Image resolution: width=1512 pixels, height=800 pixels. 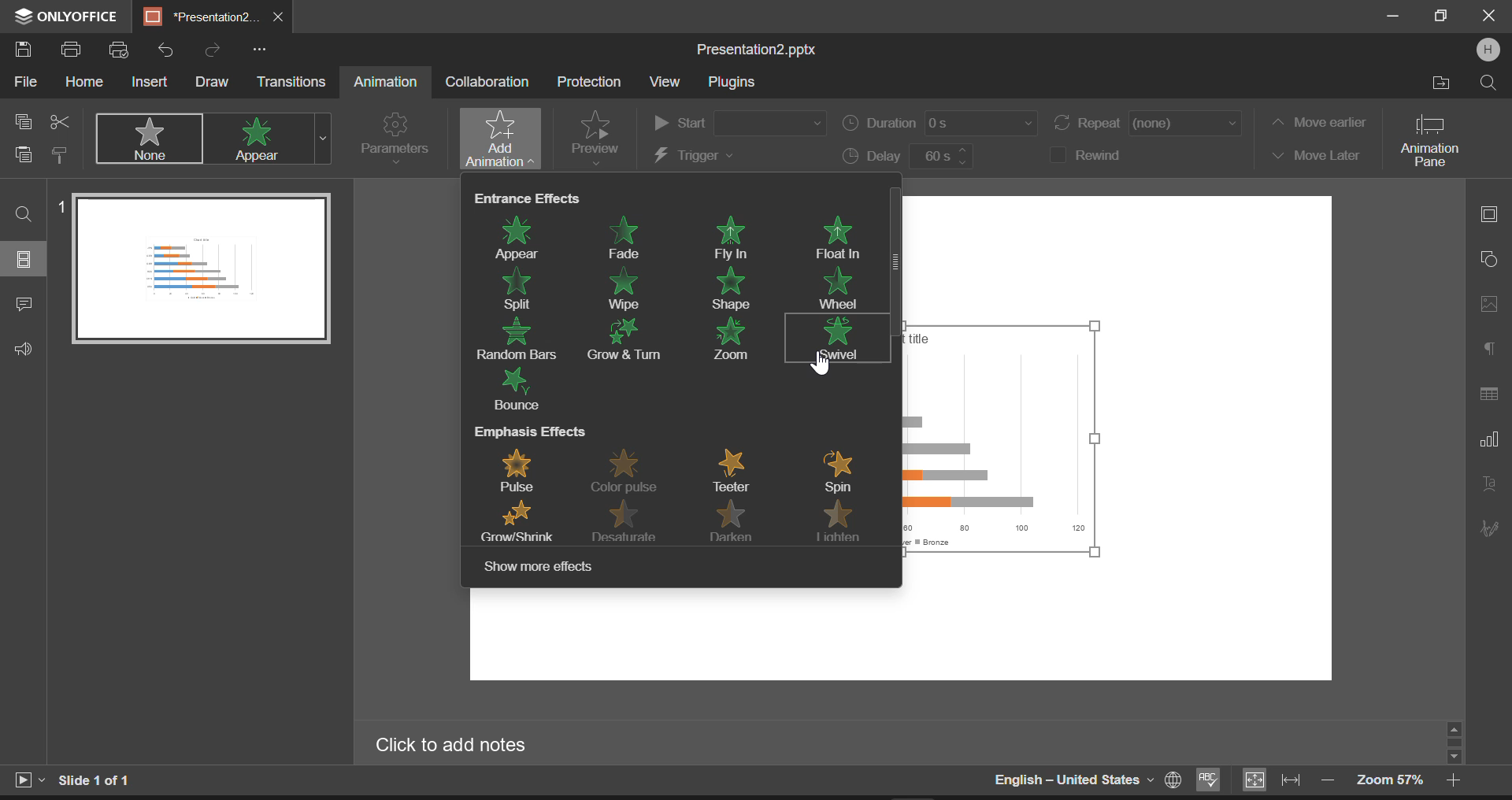 I want to click on Print, so click(x=74, y=51).